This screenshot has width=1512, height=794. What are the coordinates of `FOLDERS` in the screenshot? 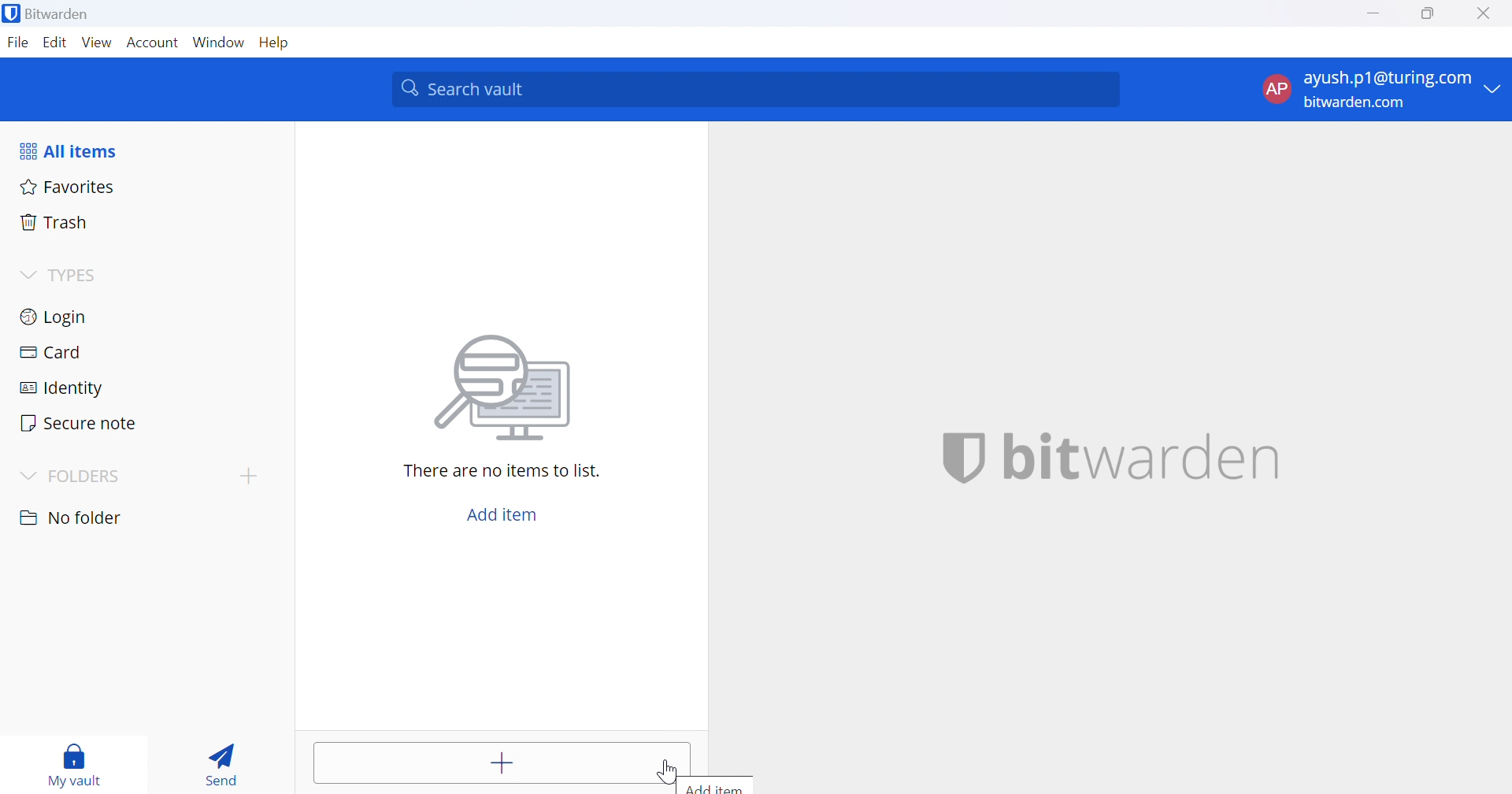 It's located at (92, 477).